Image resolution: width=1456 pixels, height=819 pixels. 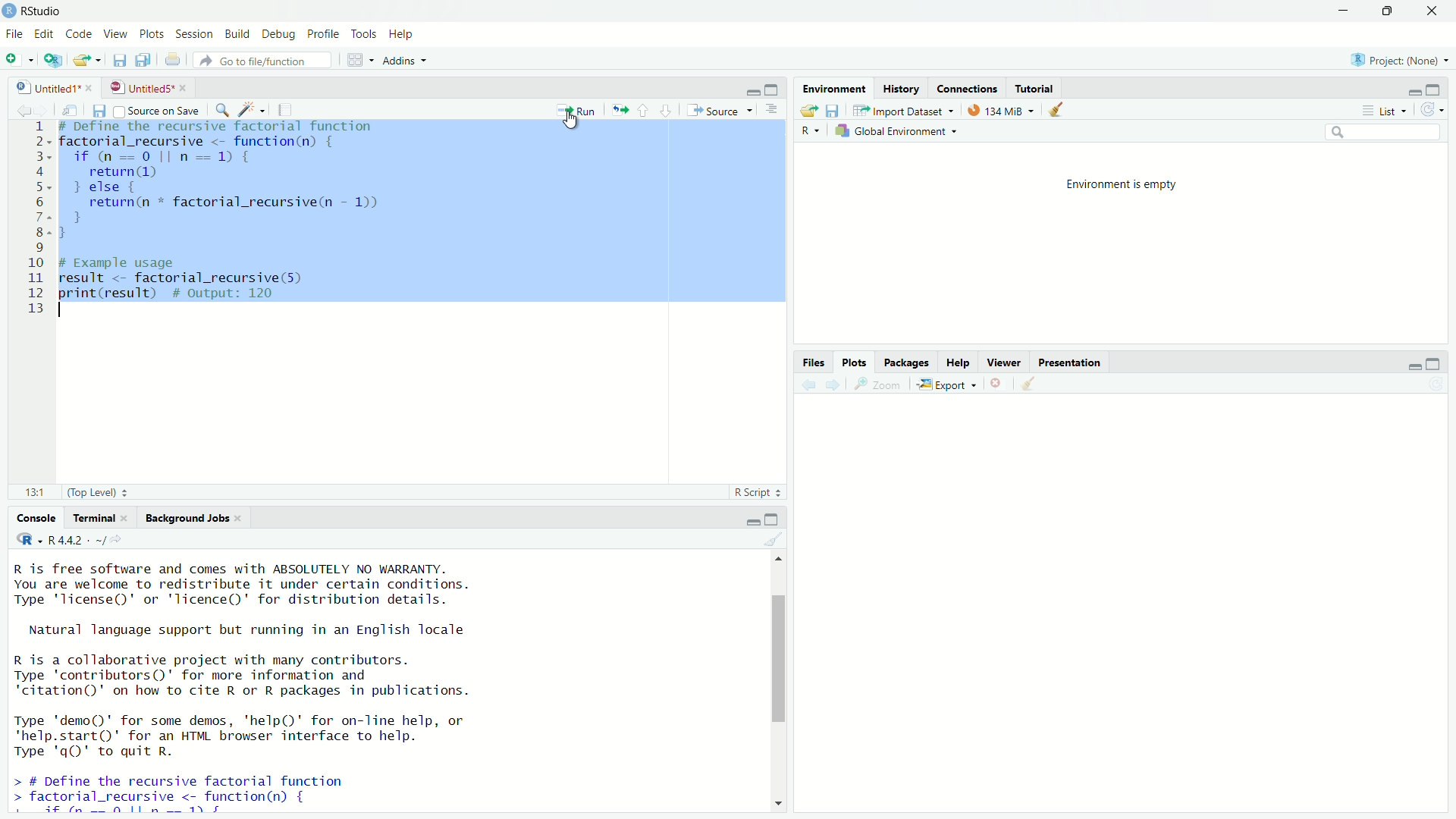 I want to click on Tools, so click(x=360, y=34).